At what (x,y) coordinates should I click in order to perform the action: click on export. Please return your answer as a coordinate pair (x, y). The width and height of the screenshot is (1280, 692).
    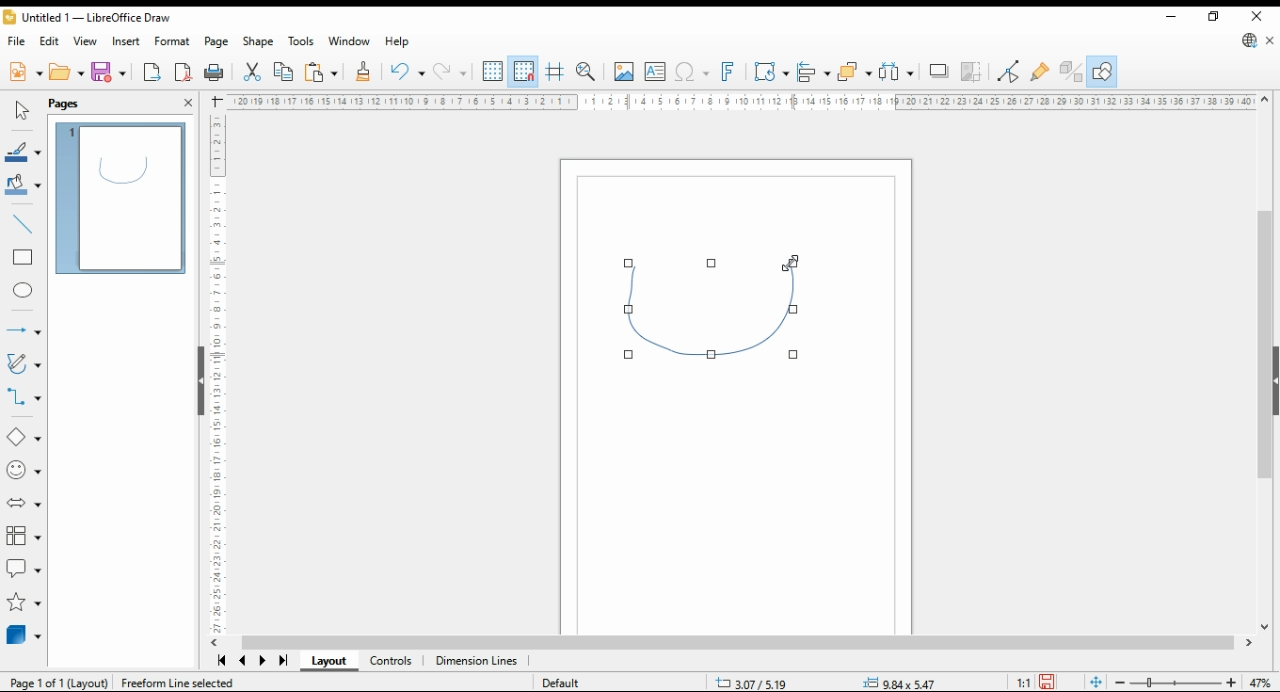
    Looking at the image, I should click on (154, 72).